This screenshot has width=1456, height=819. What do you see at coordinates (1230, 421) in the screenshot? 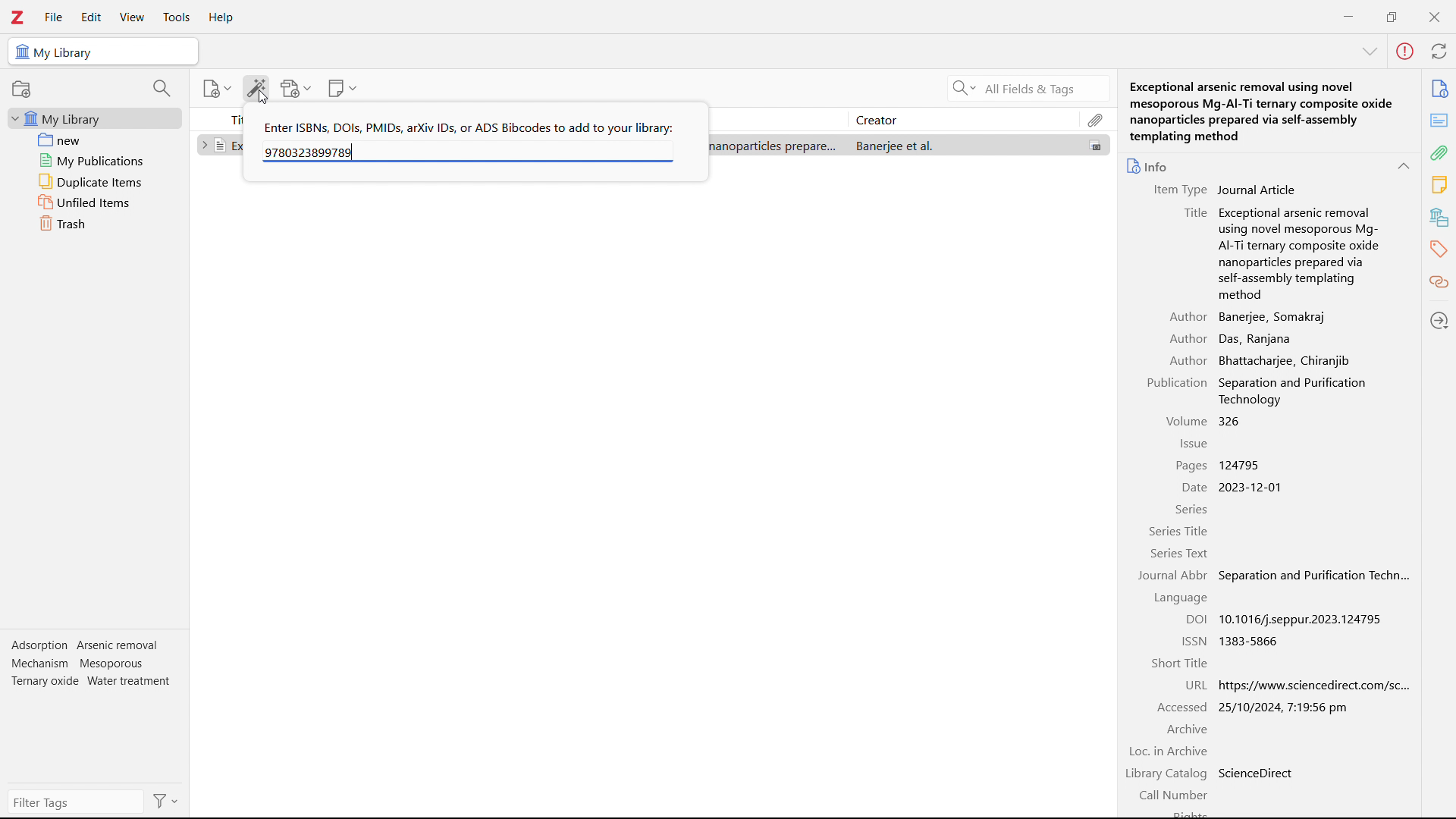
I see `326` at bounding box center [1230, 421].